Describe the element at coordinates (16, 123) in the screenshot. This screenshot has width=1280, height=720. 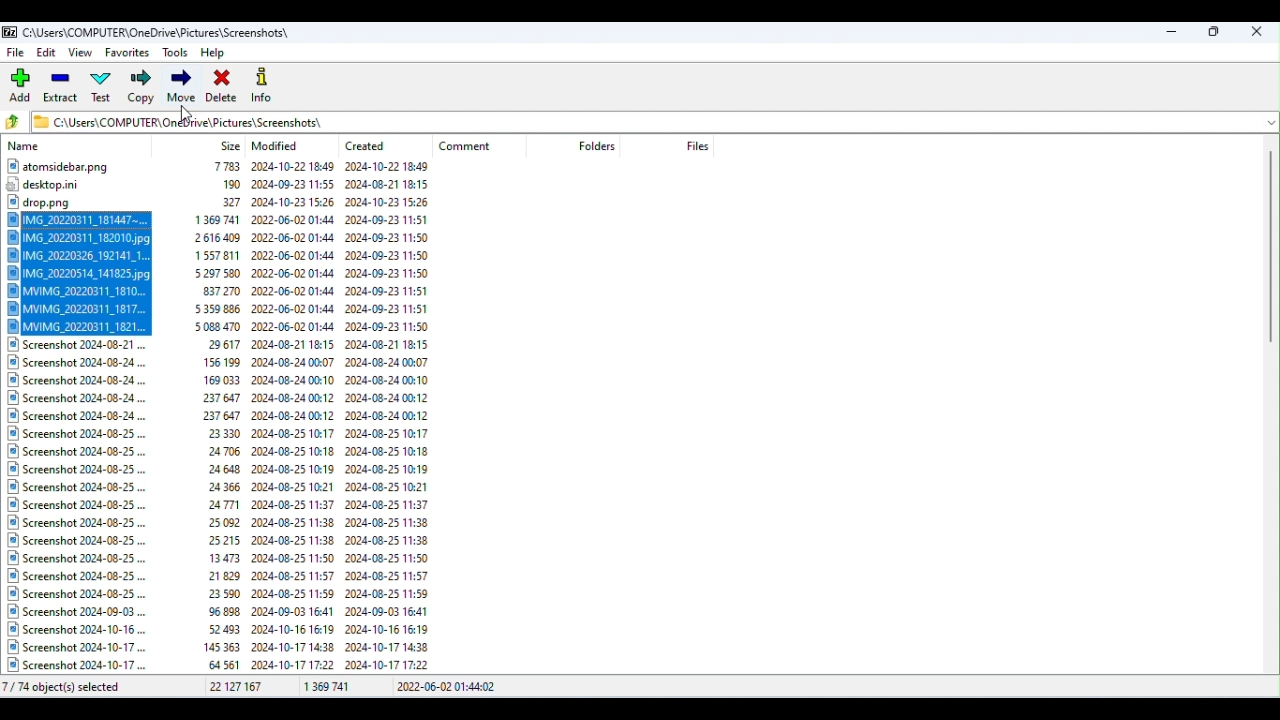
I see `Go back` at that location.